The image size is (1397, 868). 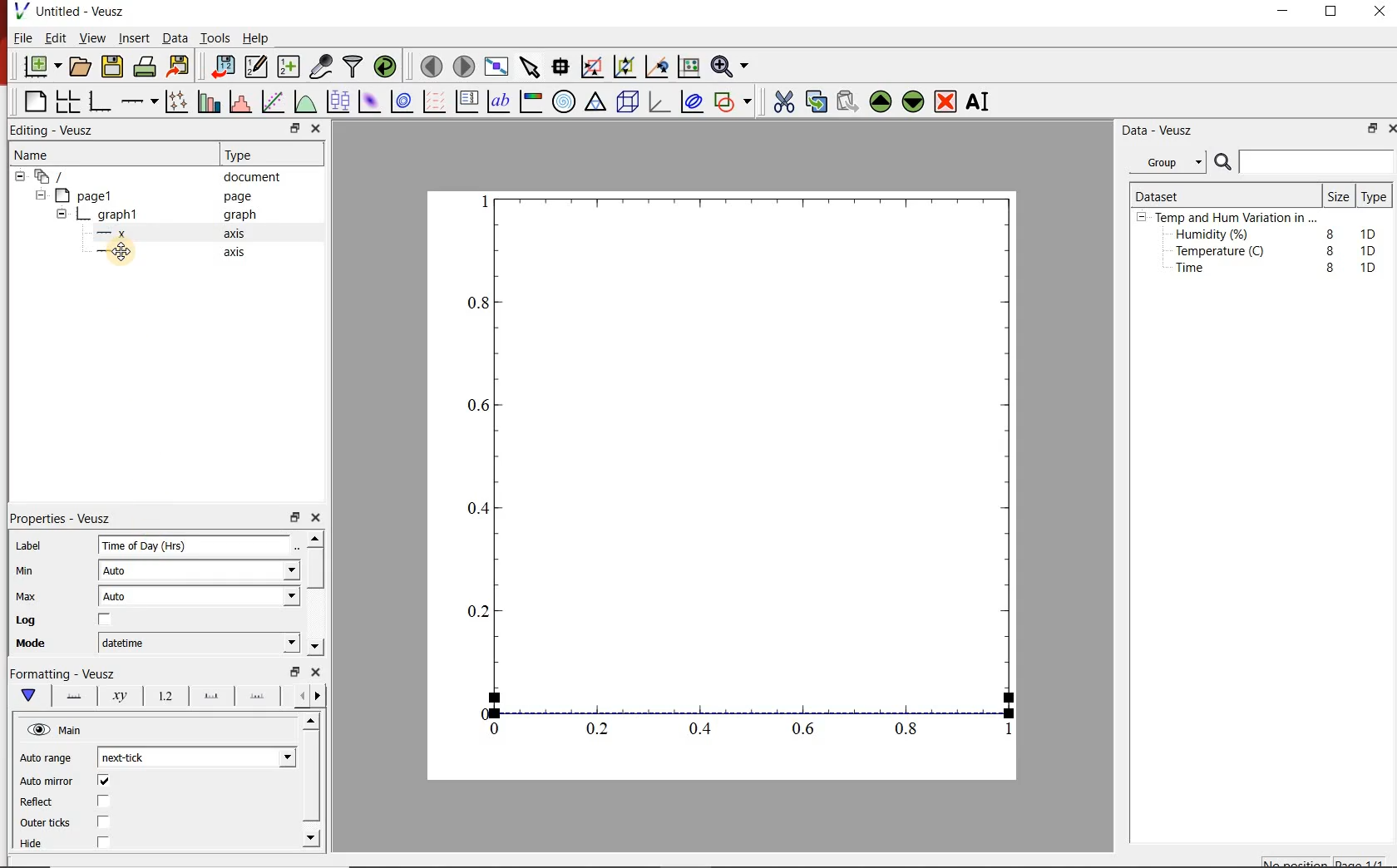 I want to click on Max, so click(x=35, y=596).